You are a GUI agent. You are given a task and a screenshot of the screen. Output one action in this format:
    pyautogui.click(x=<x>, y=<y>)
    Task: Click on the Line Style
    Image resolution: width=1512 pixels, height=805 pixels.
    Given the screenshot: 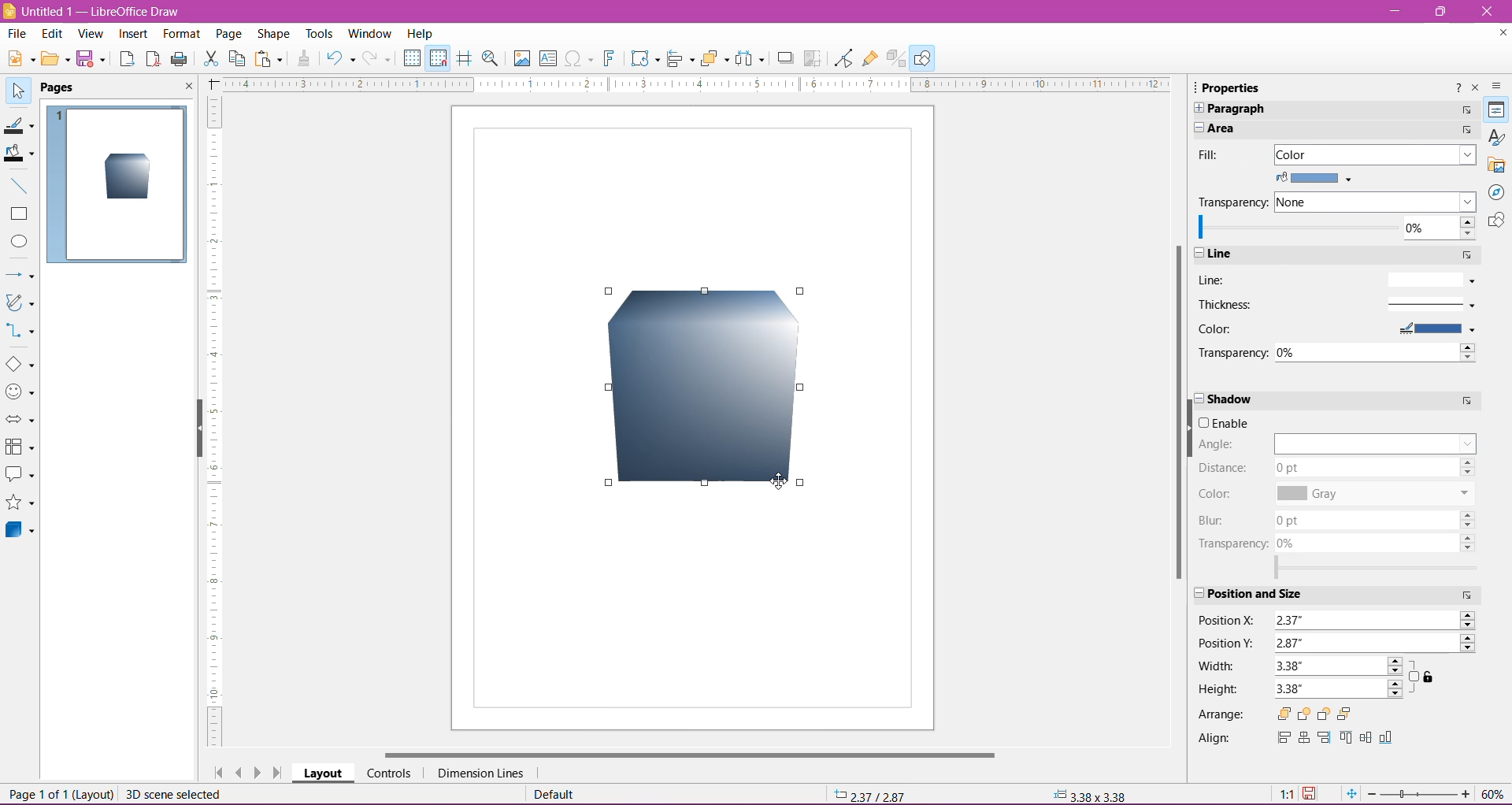 What is the action you would take?
    pyautogui.click(x=1429, y=280)
    